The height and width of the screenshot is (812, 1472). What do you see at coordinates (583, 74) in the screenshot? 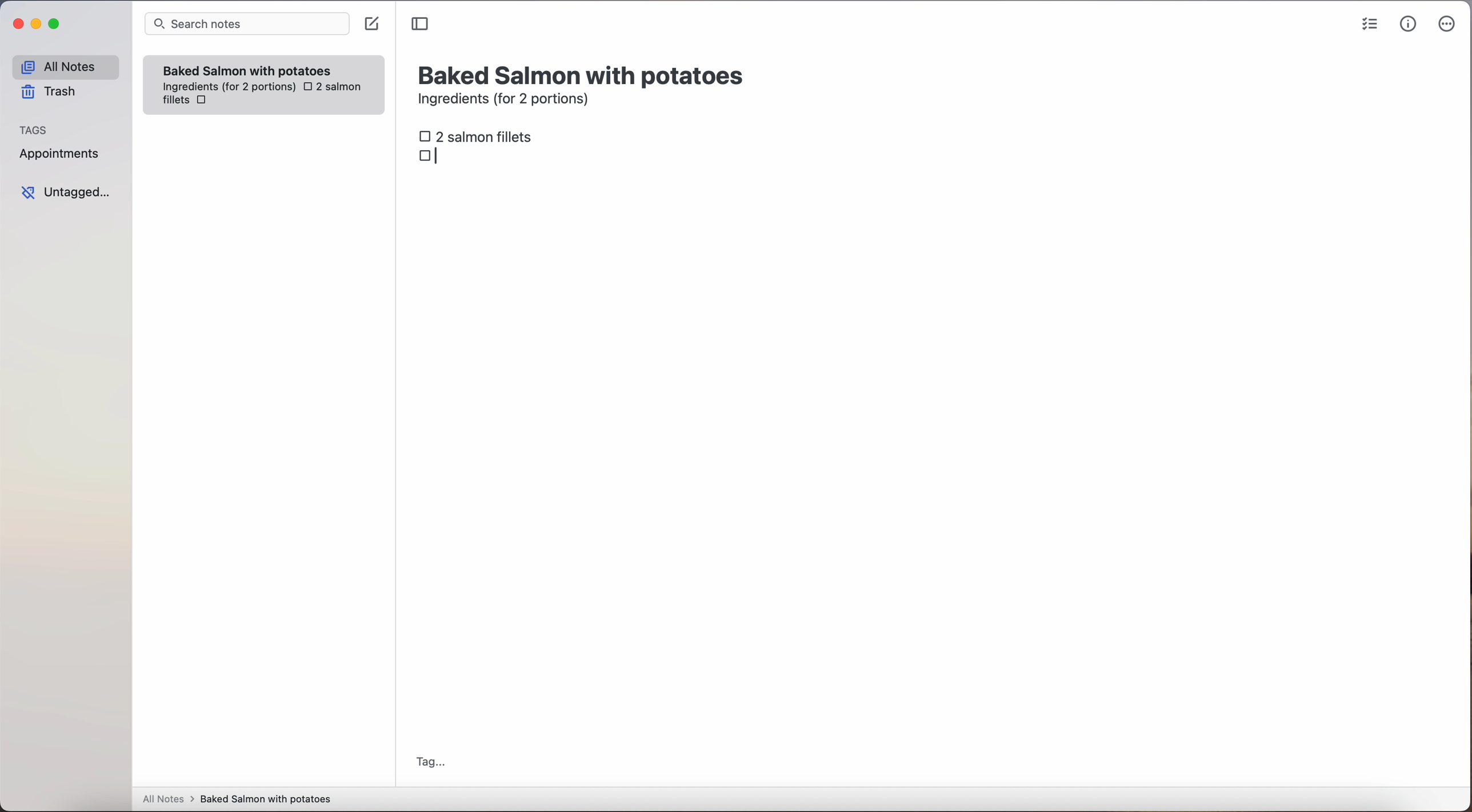
I see `title` at bounding box center [583, 74].